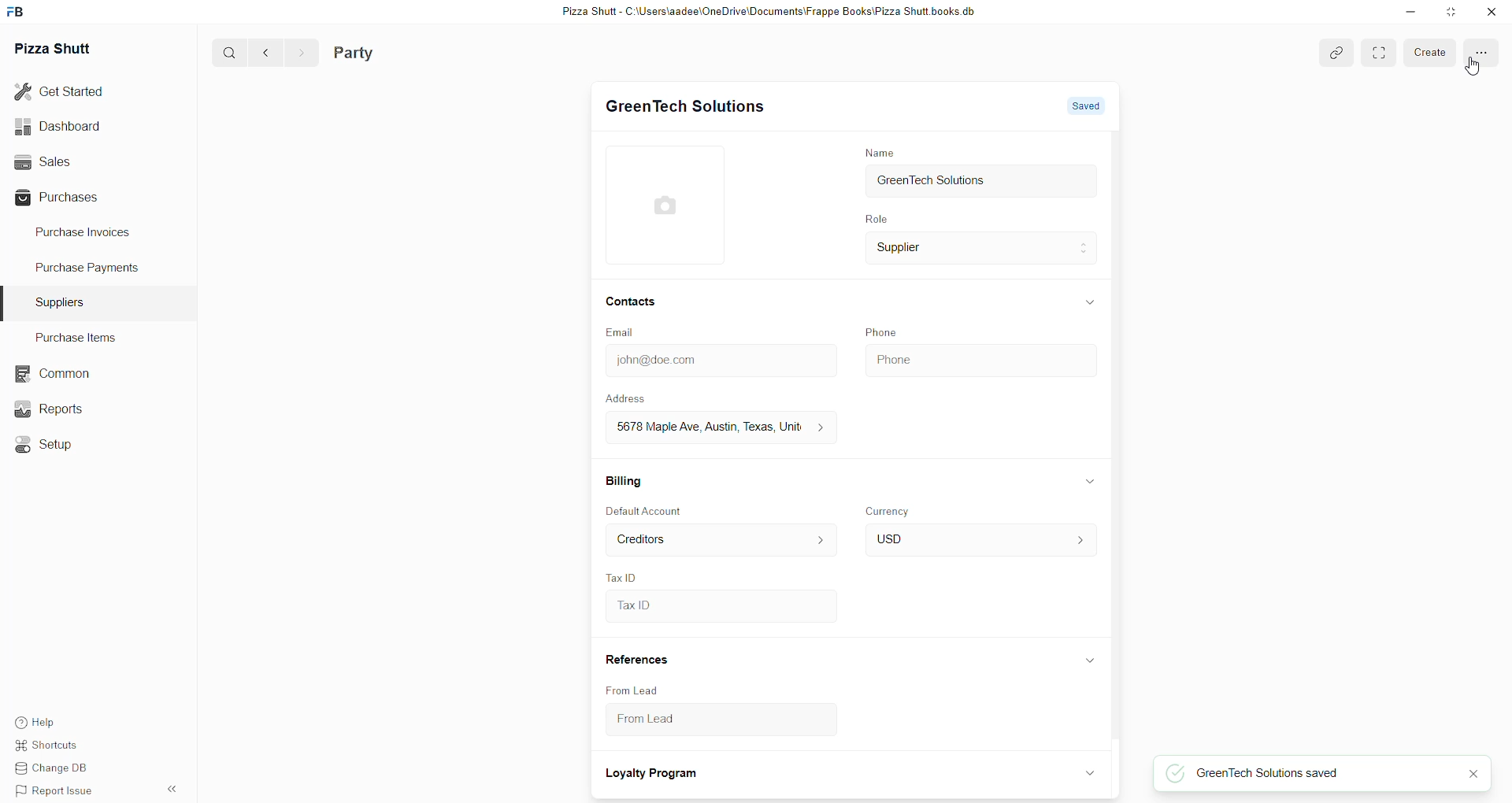 This screenshot has height=803, width=1512. What do you see at coordinates (71, 94) in the screenshot?
I see `Get Started` at bounding box center [71, 94].